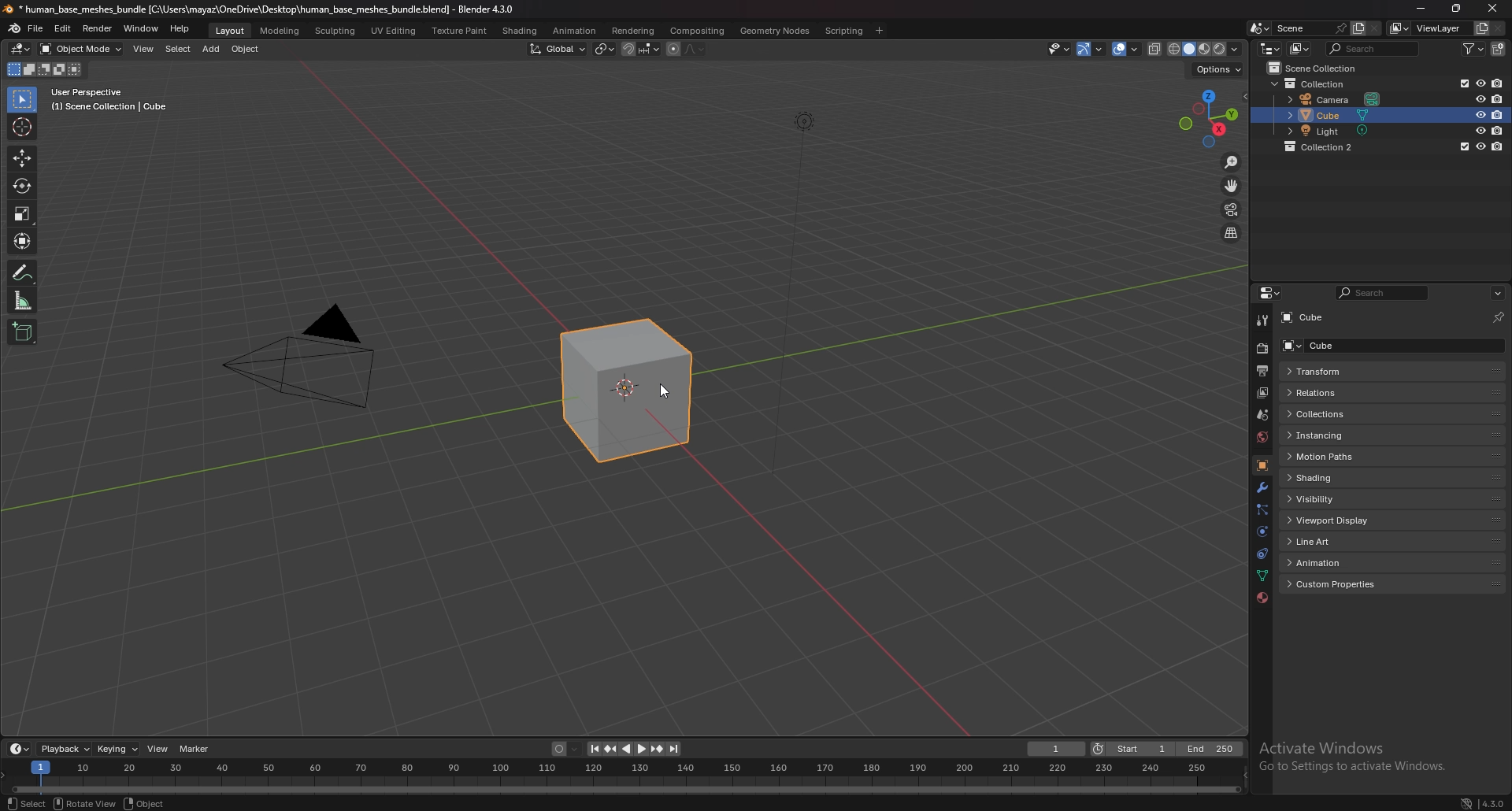  I want to click on zoom, so click(1232, 161).